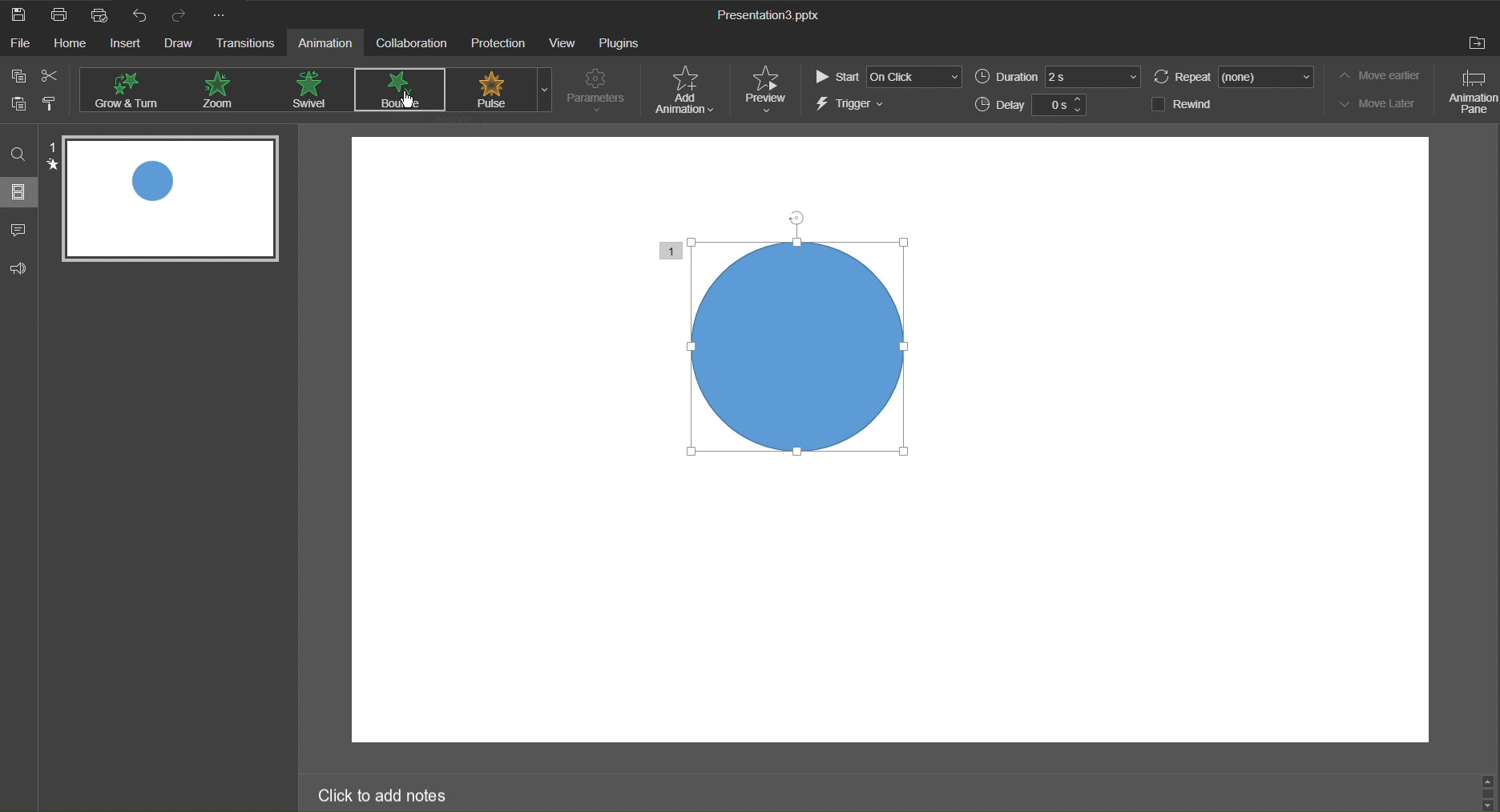 This screenshot has height=812, width=1500. I want to click on Animations, so click(312, 90).